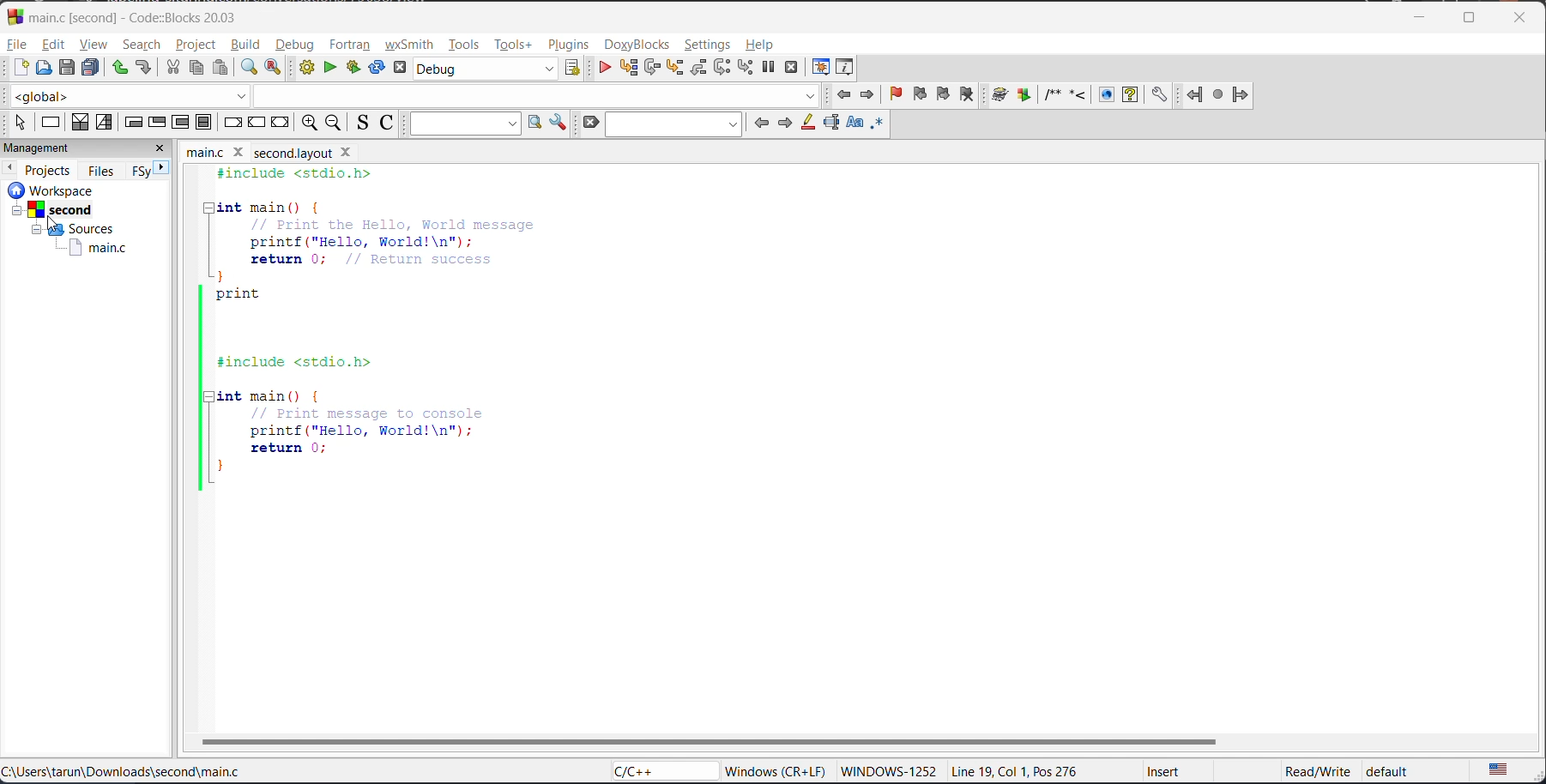 Image resolution: width=1546 pixels, height=784 pixels. What do you see at coordinates (770, 68) in the screenshot?
I see `break debugger` at bounding box center [770, 68].